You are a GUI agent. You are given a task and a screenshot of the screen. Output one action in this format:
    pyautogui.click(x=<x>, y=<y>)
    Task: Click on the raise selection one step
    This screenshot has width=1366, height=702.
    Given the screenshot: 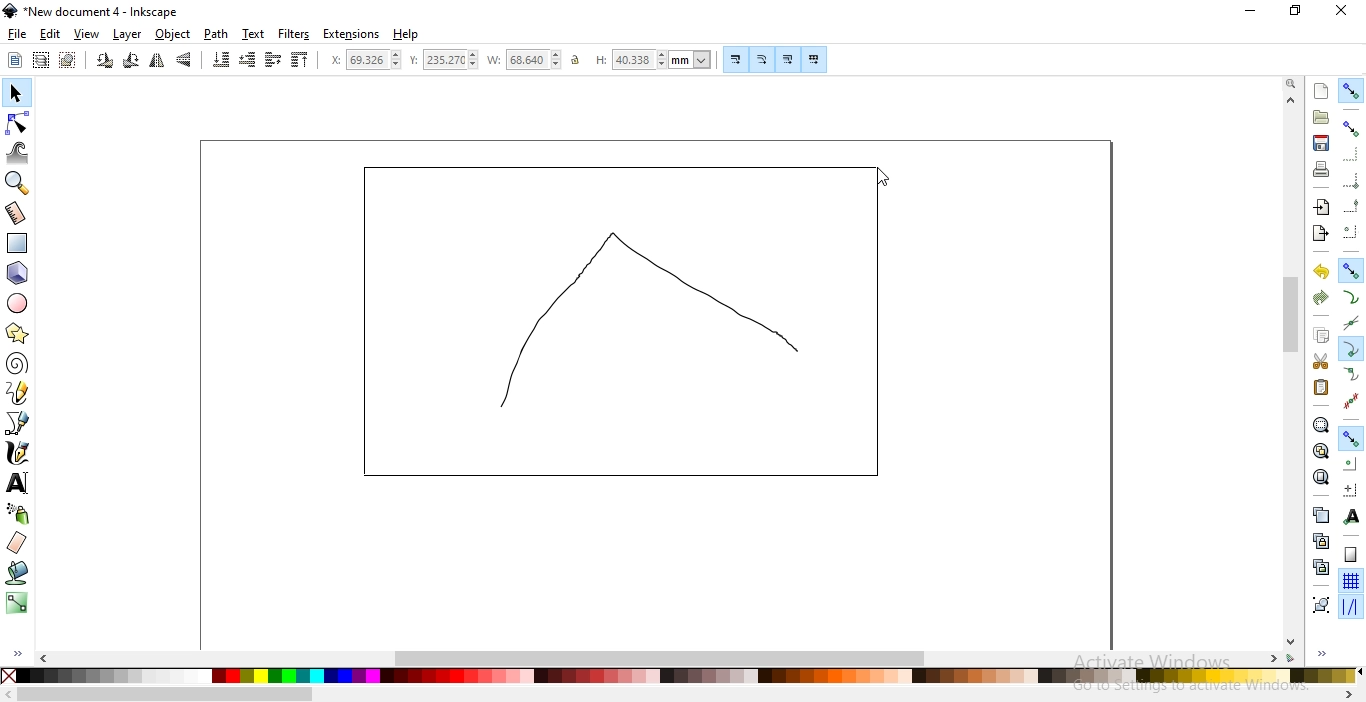 What is the action you would take?
    pyautogui.click(x=272, y=60)
    